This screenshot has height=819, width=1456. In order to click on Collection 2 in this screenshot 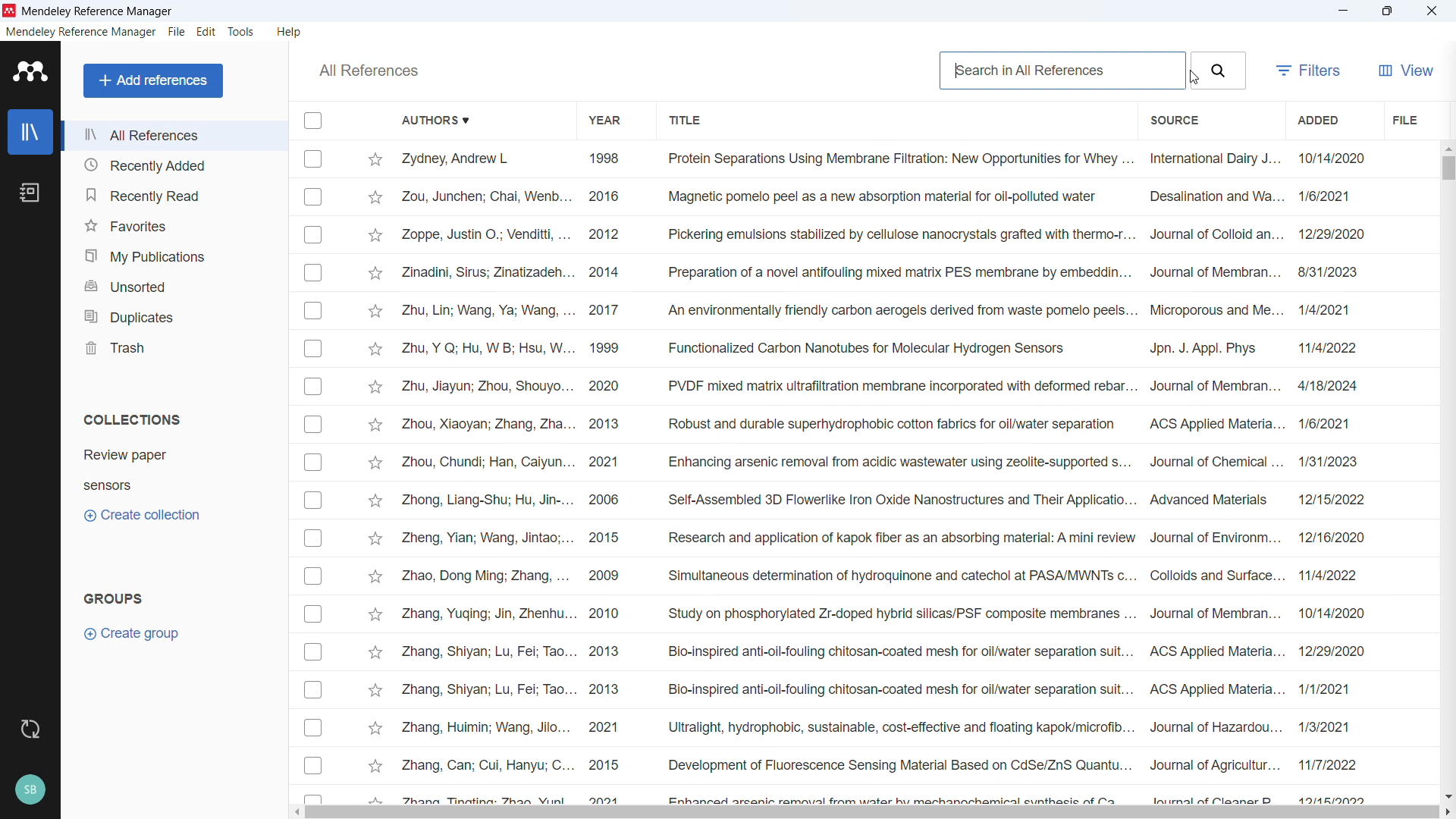, I will do `click(107, 486)`.